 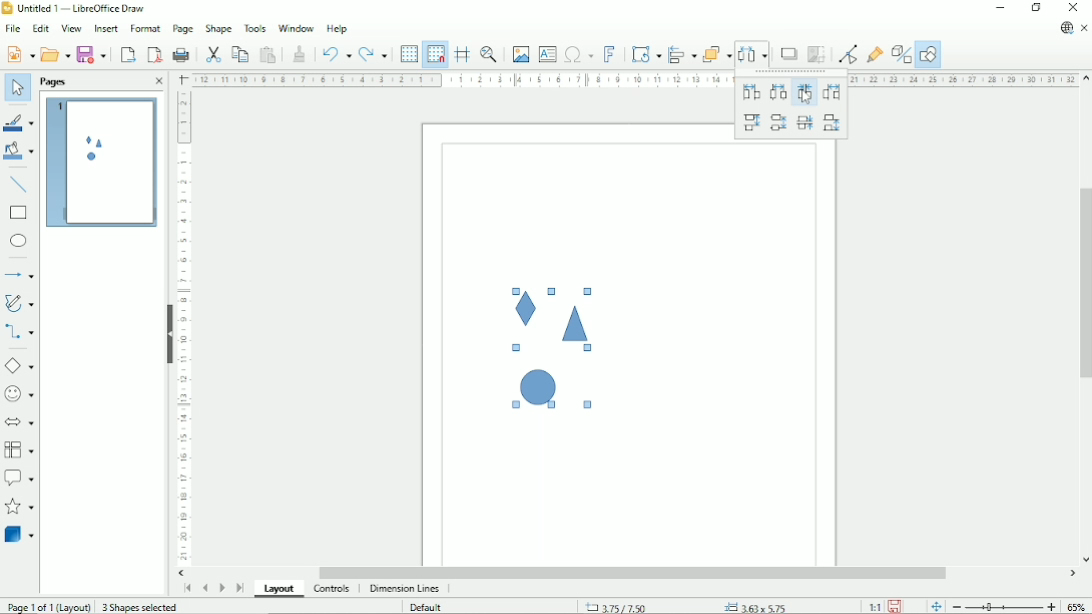 I want to click on Page, so click(x=183, y=29).